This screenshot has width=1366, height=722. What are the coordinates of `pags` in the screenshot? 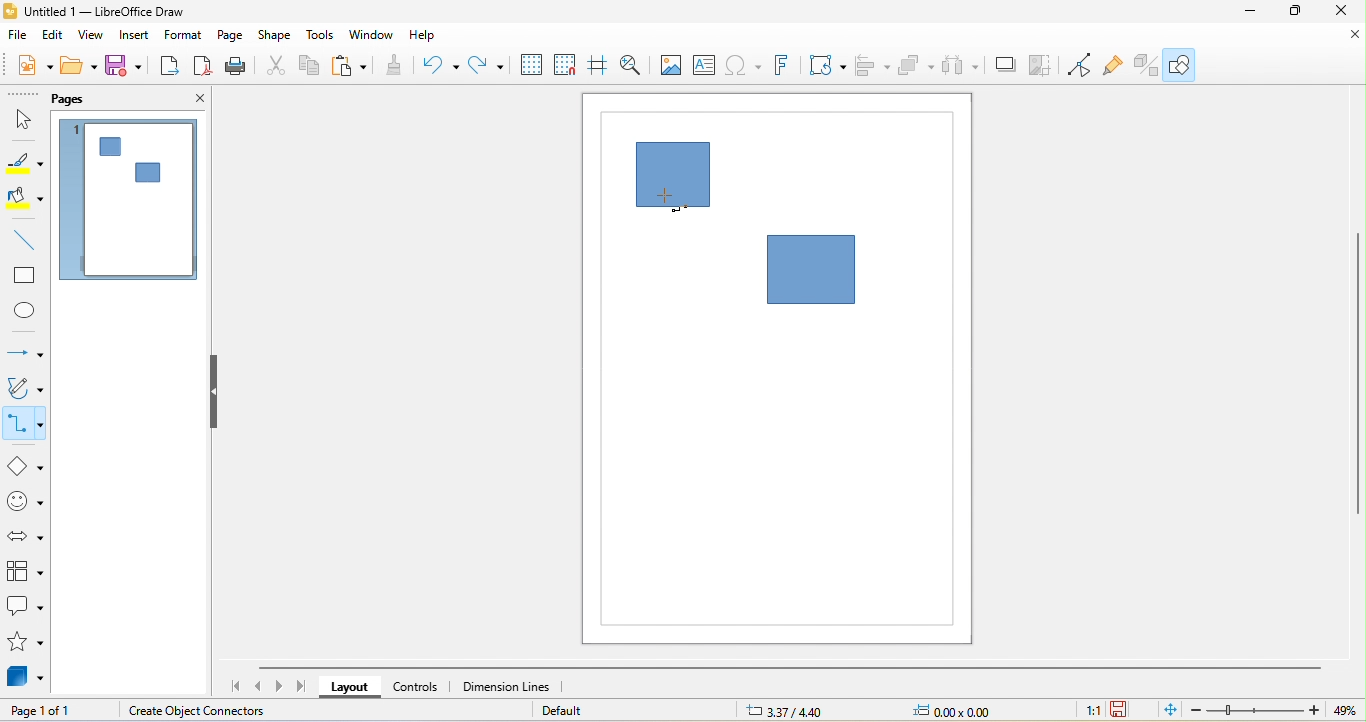 It's located at (80, 101).